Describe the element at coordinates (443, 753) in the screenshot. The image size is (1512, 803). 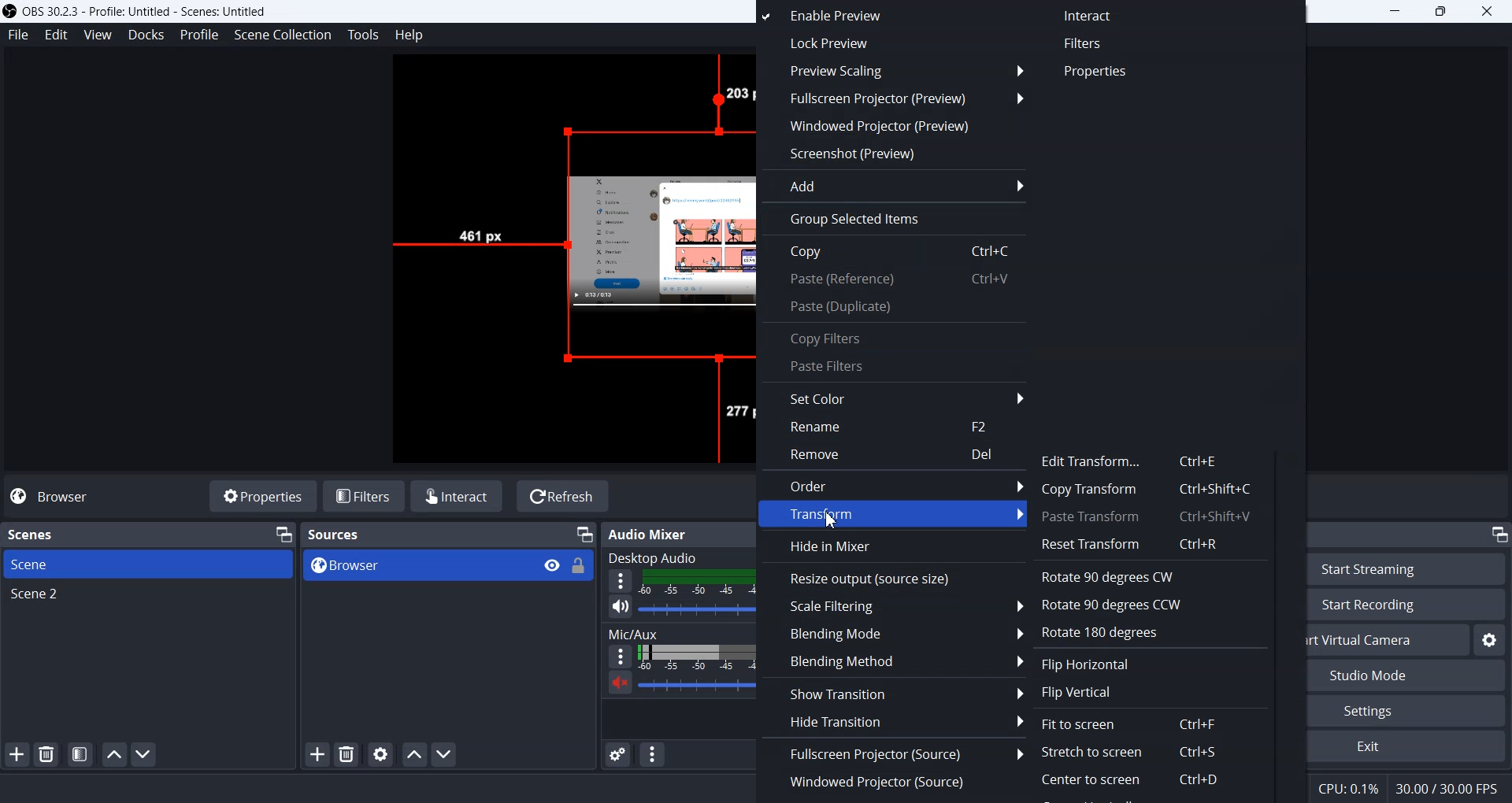
I see `Move sources down` at that location.